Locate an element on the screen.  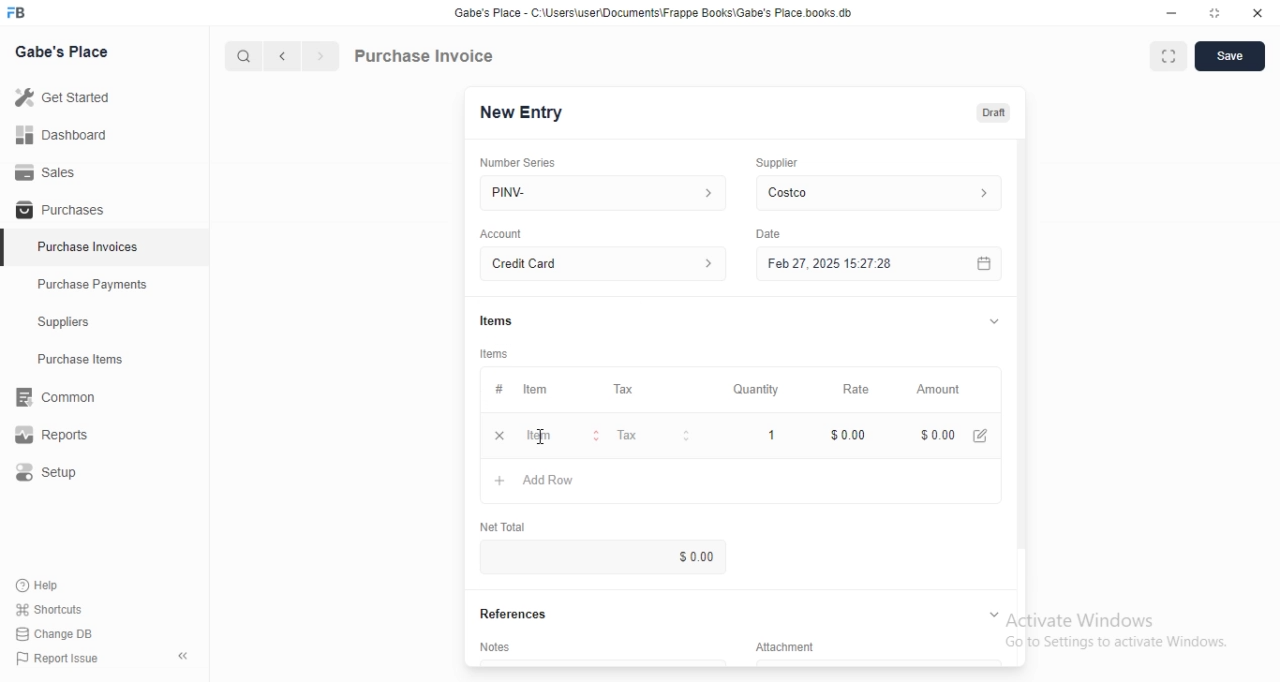
Purchase Items is located at coordinates (105, 359).